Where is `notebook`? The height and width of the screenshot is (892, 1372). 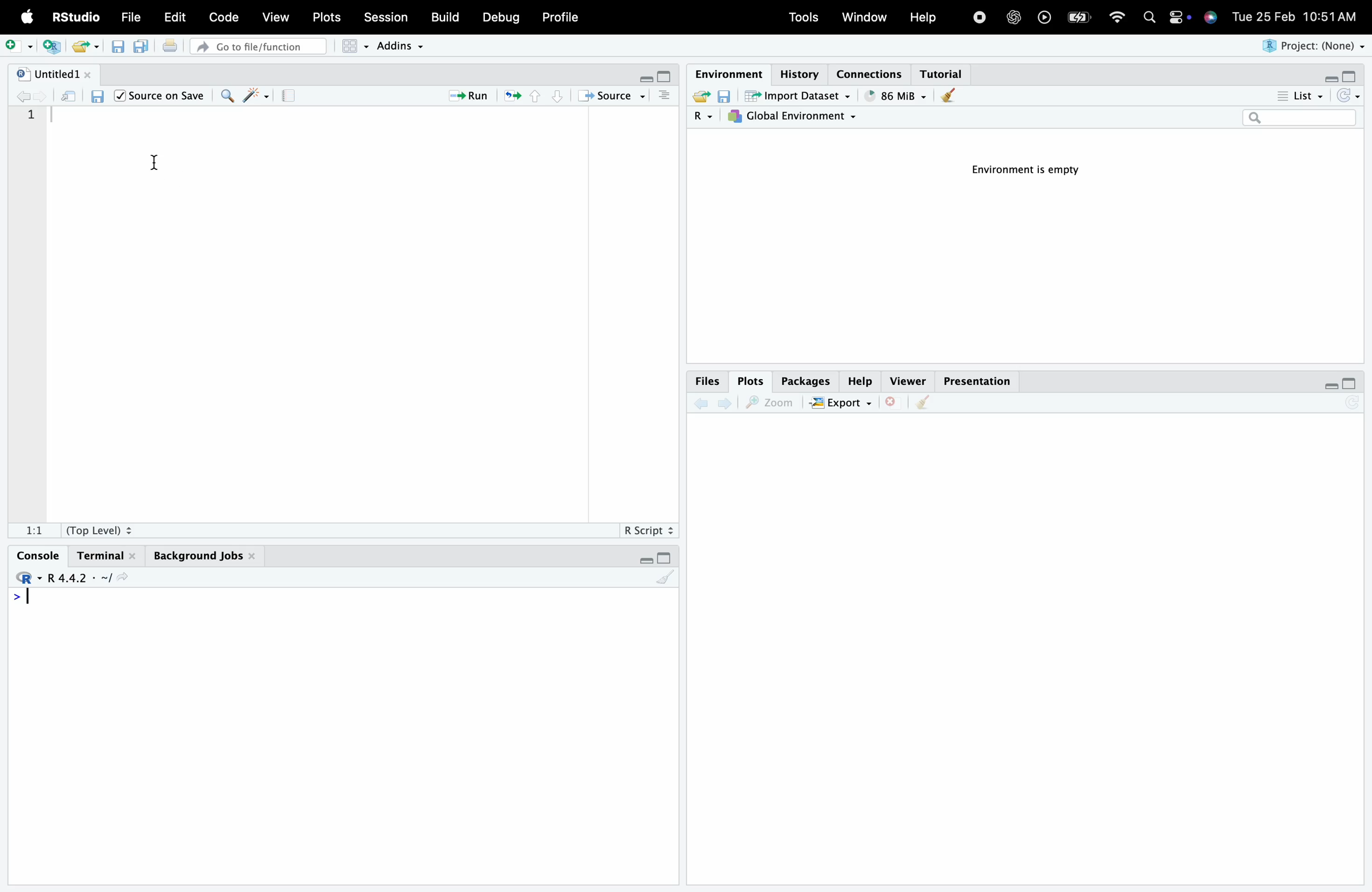 notebook is located at coordinates (293, 98).